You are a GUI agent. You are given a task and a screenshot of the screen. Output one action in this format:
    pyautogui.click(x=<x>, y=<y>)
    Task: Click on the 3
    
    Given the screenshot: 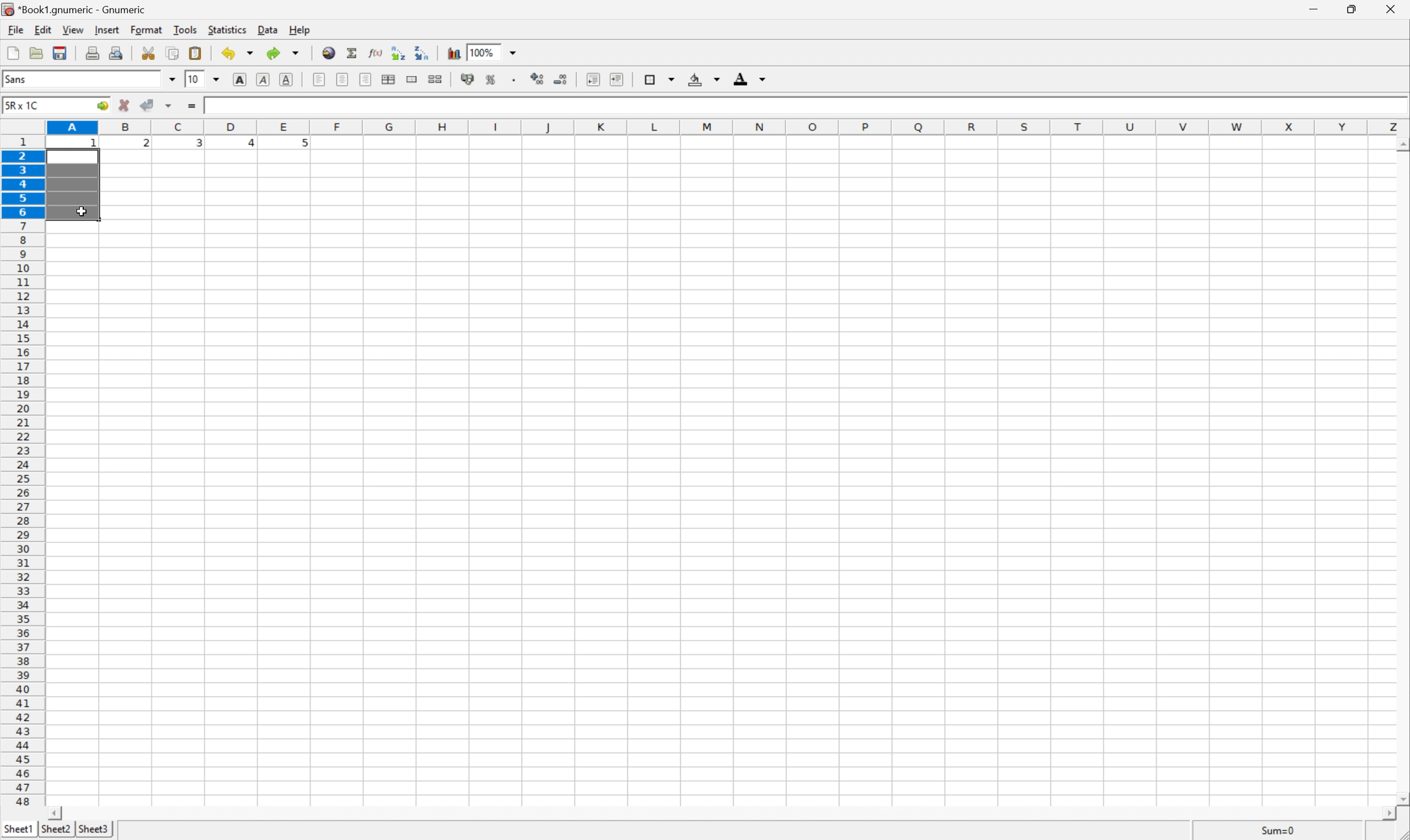 What is the action you would take?
    pyautogui.click(x=198, y=145)
    